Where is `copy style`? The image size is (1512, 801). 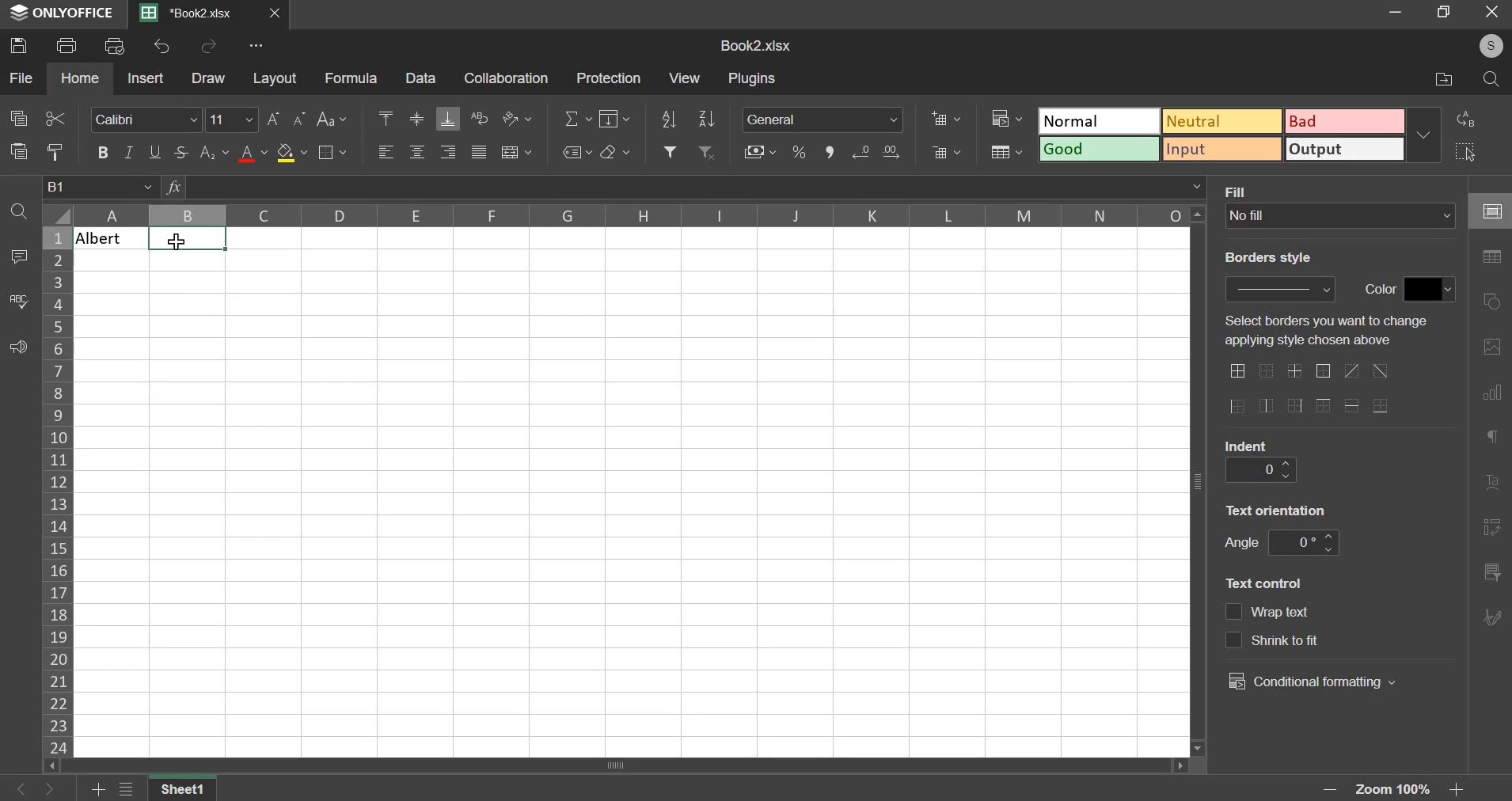
copy style is located at coordinates (54, 151).